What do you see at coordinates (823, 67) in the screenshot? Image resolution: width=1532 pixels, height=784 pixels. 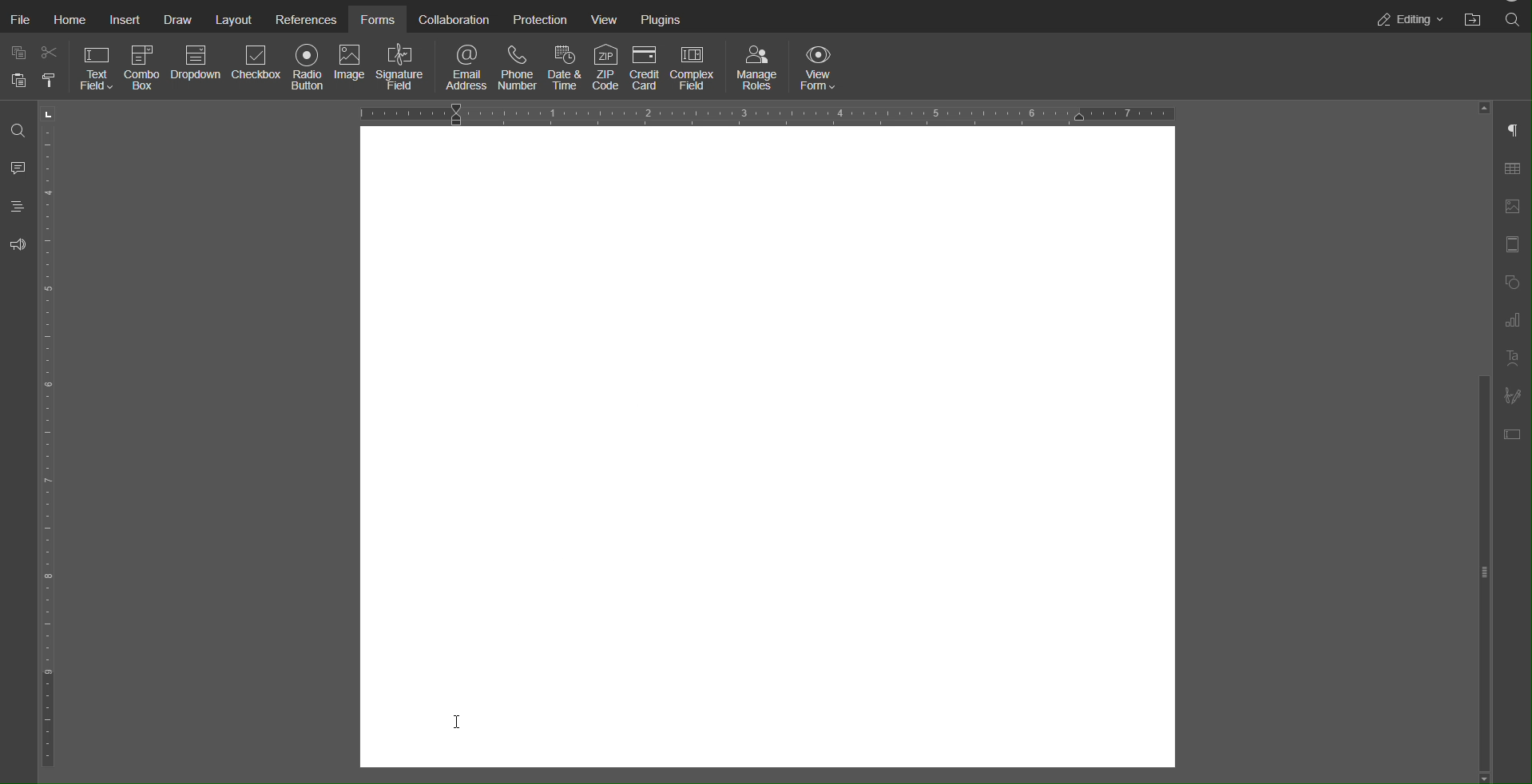 I see `View Form` at bounding box center [823, 67].